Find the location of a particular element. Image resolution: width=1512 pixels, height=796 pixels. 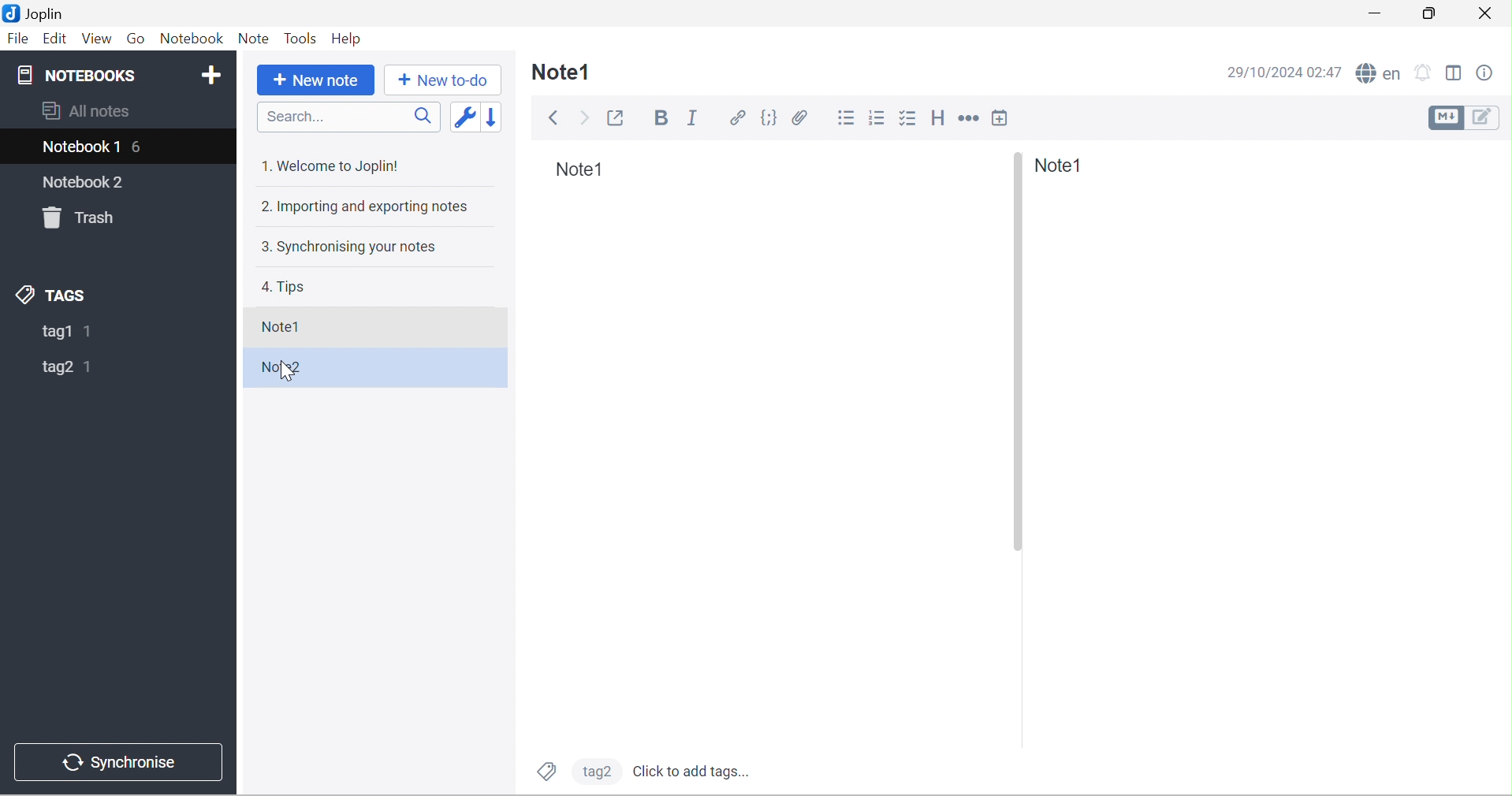

Toggle editors is located at coordinates (1467, 118).